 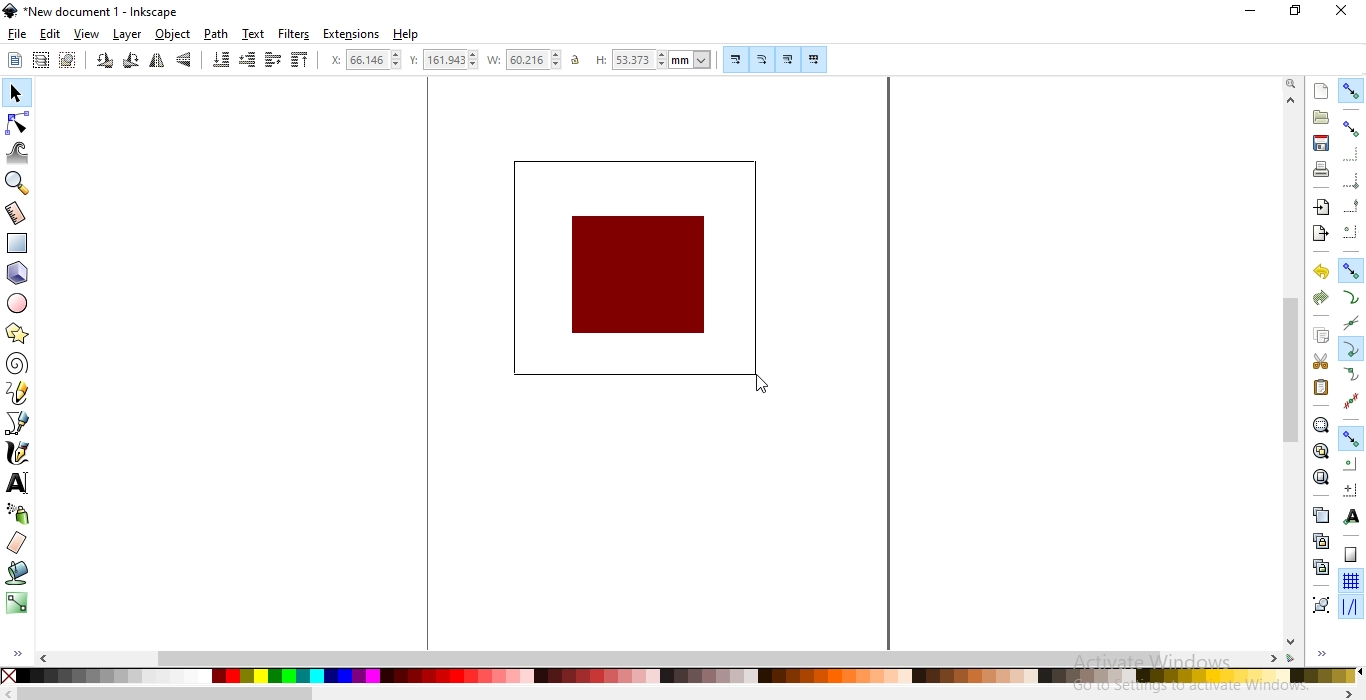 What do you see at coordinates (40, 62) in the screenshot?
I see `select all objects in all visible and unlocked layers` at bounding box center [40, 62].